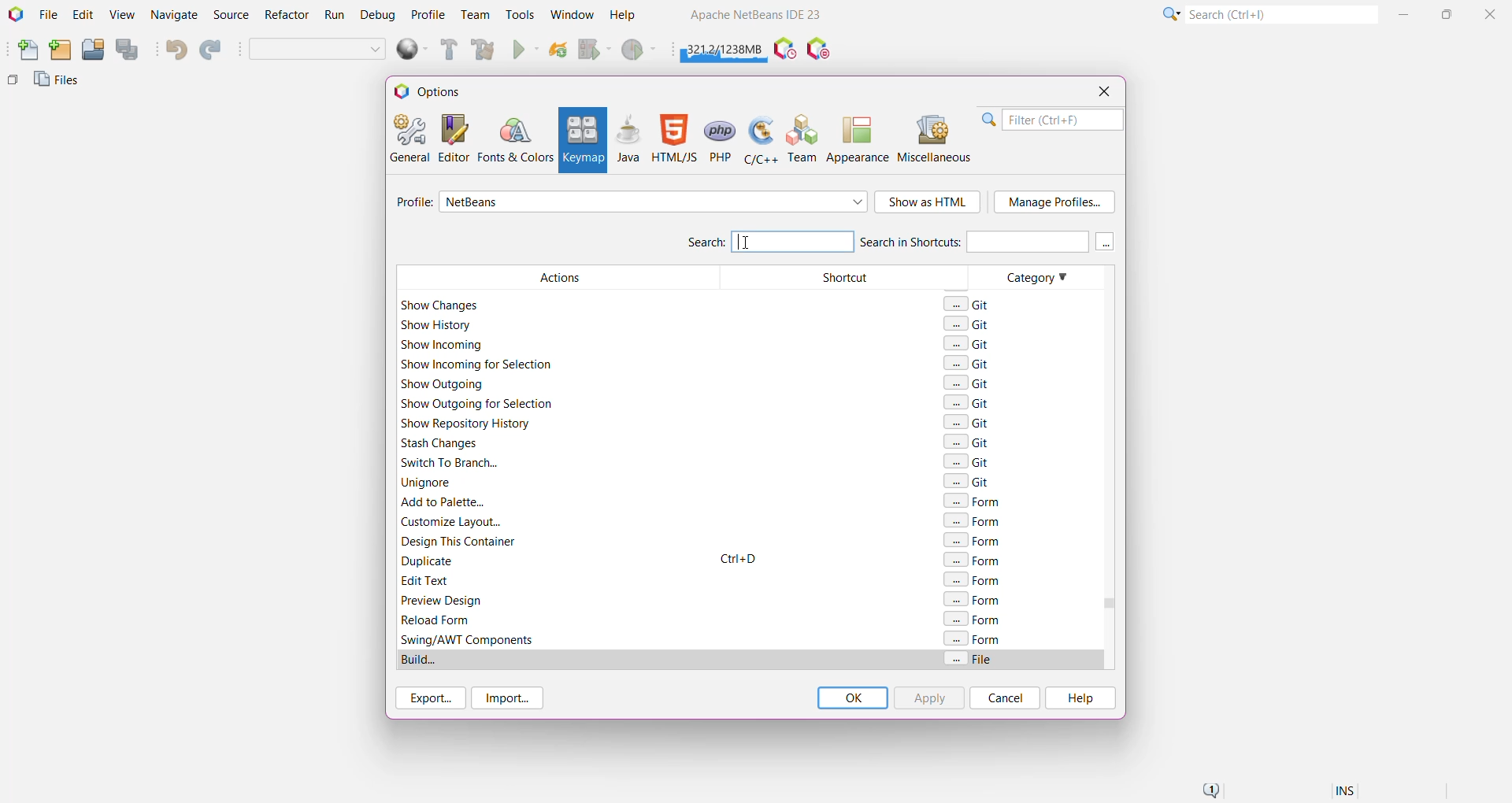 The width and height of the screenshot is (1512, 803). I want to click on Window, so click(572, 14).